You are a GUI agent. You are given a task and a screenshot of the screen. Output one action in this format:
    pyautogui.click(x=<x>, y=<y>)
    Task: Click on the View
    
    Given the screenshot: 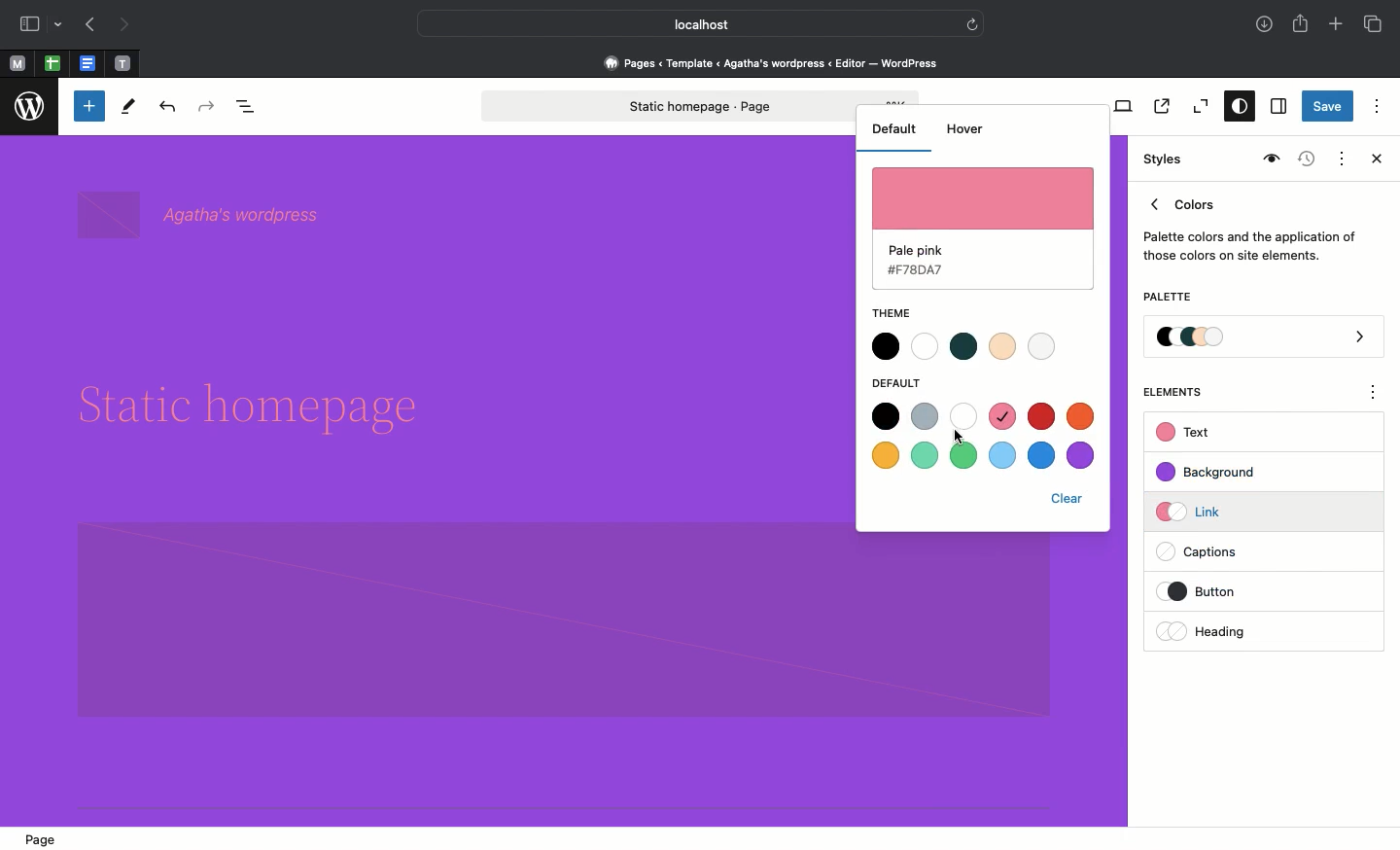 What is the action you would take?
    pyautogui.click(x=1119, y=106)
    